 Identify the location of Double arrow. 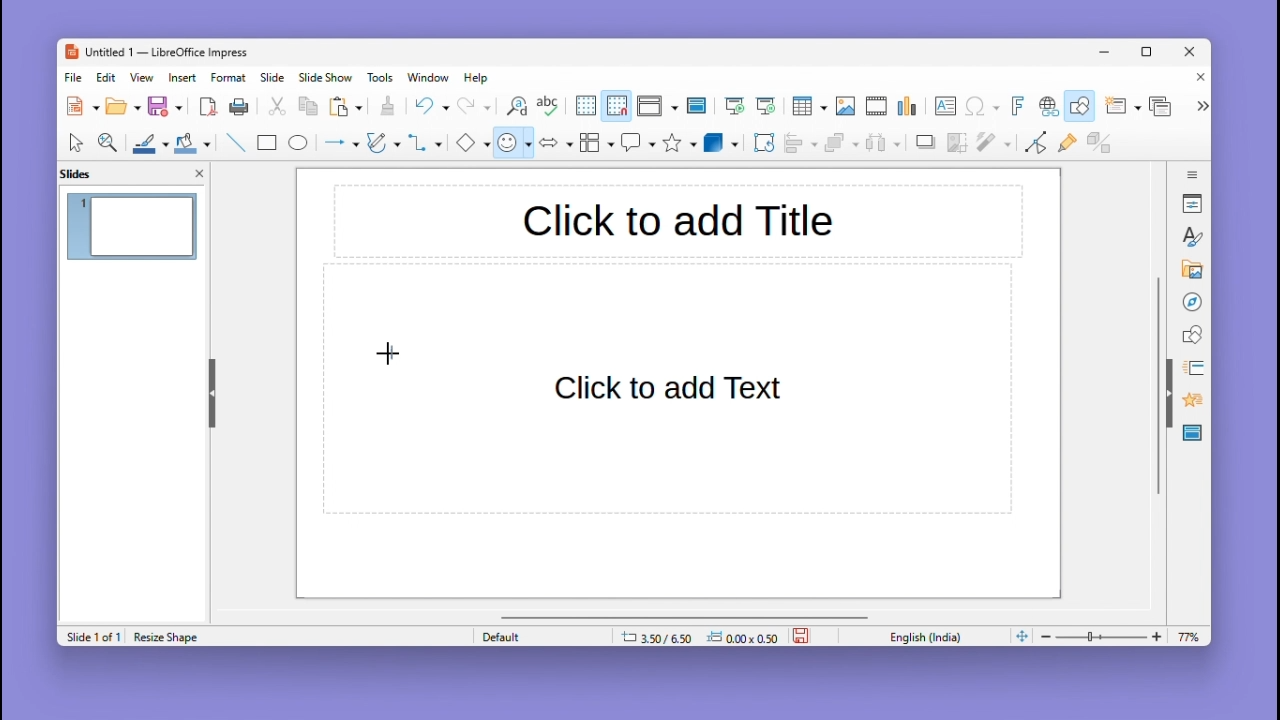
(556, 141).